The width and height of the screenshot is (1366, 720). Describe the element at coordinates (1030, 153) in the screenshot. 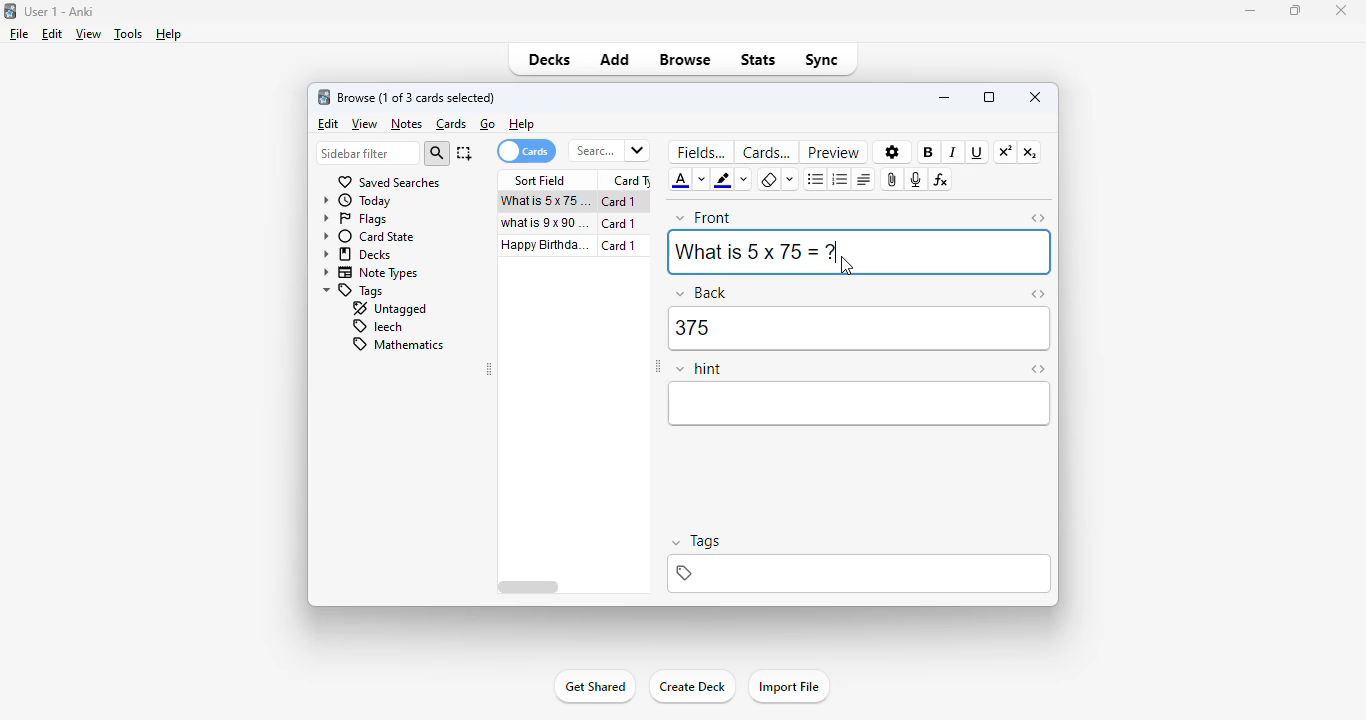

I see `subscript` at that location.